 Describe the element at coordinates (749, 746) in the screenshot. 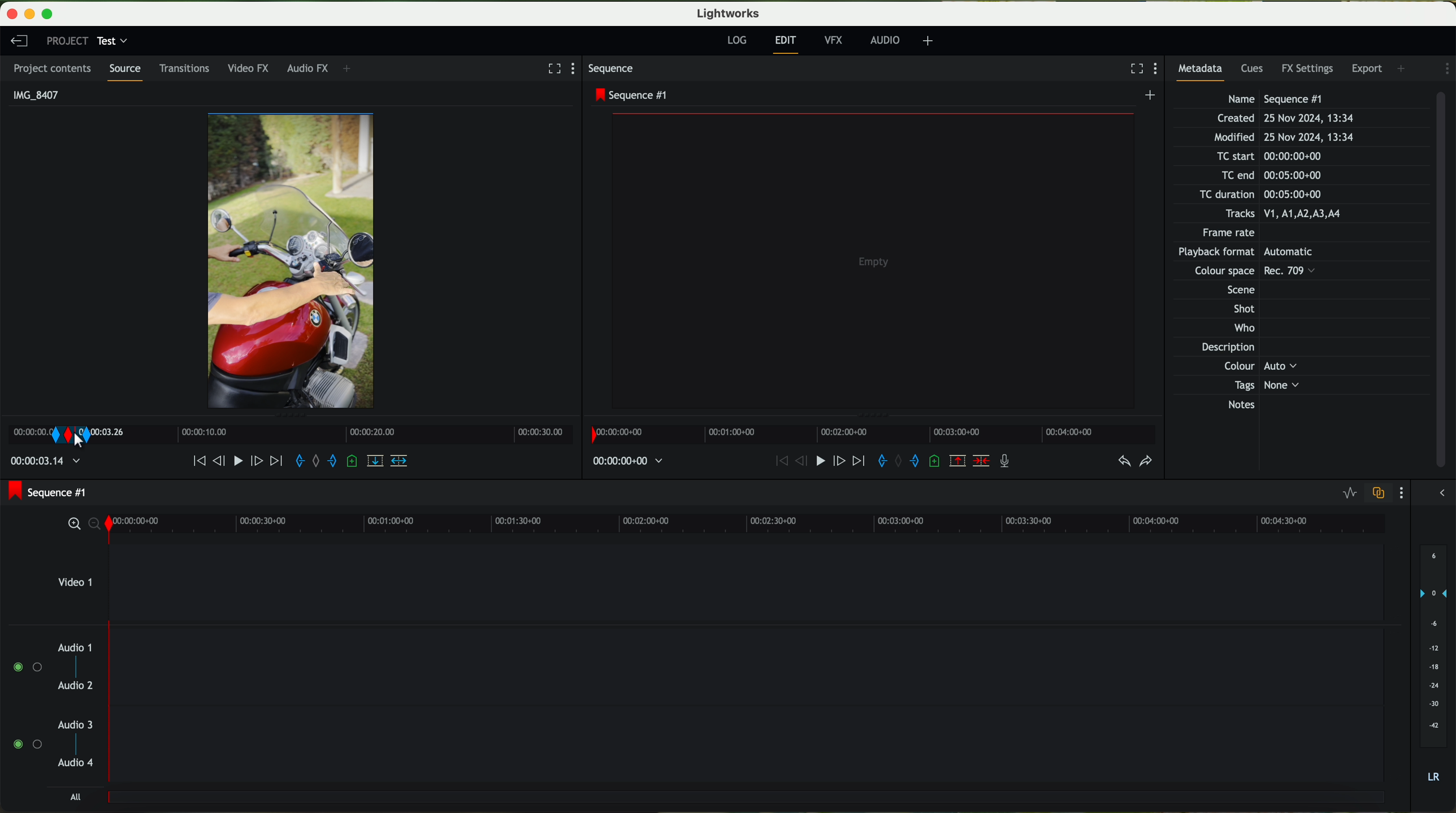

I see `track` at that location.